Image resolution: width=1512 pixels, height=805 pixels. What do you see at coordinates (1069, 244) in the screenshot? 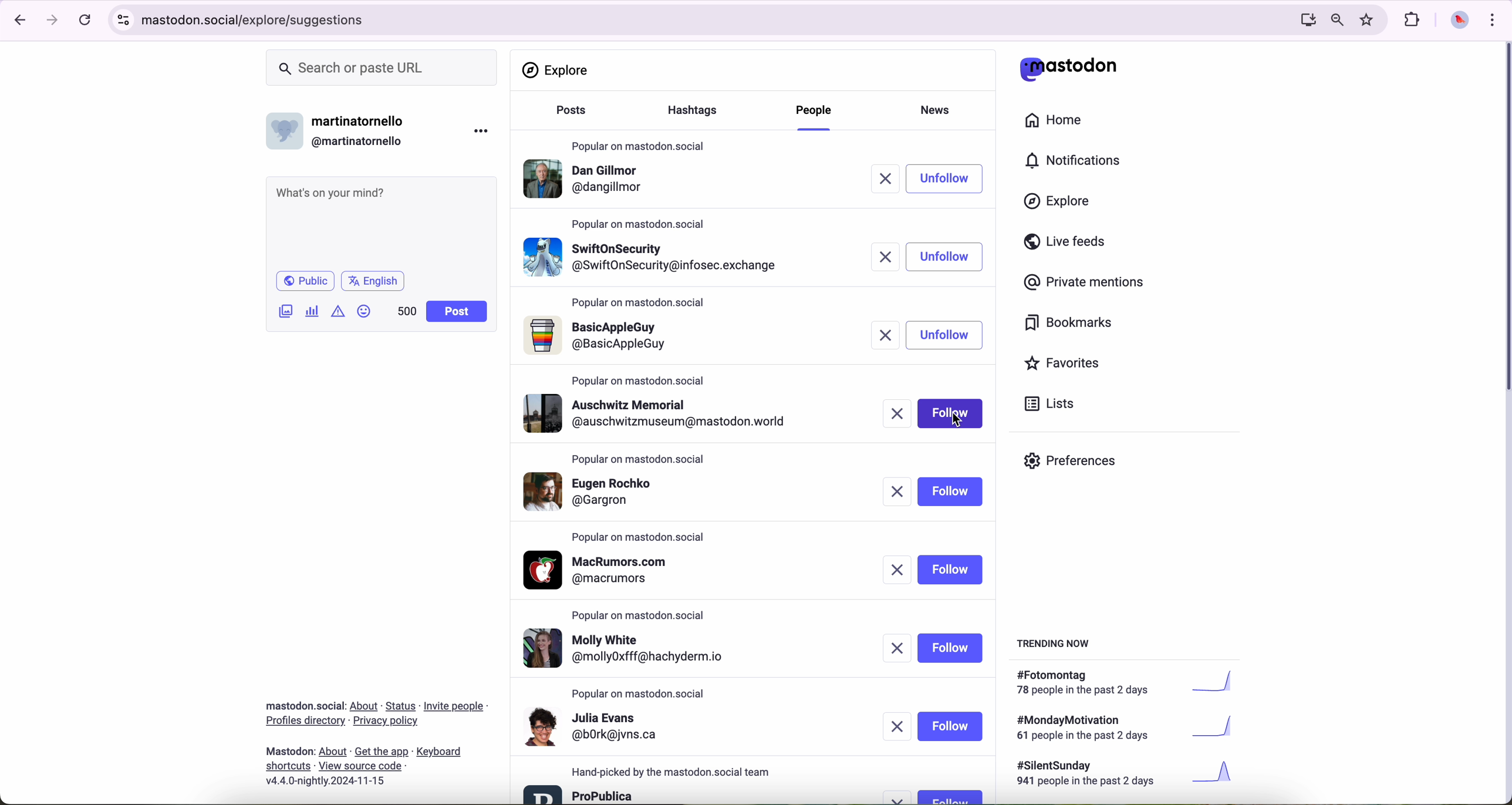
I see `live feeds` at bounding box center [1069, 244].